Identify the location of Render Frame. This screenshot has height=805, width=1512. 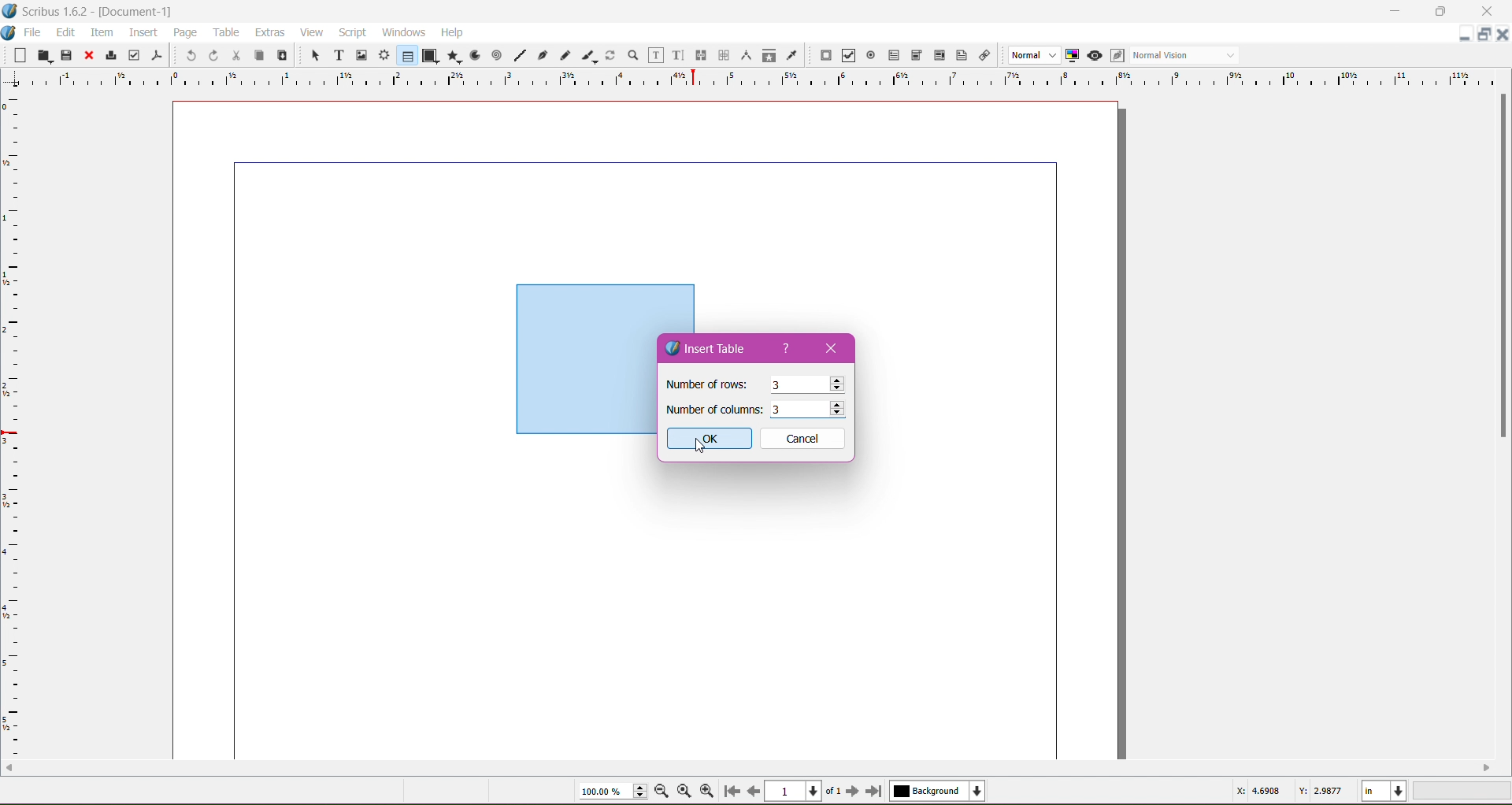
(384, 55).